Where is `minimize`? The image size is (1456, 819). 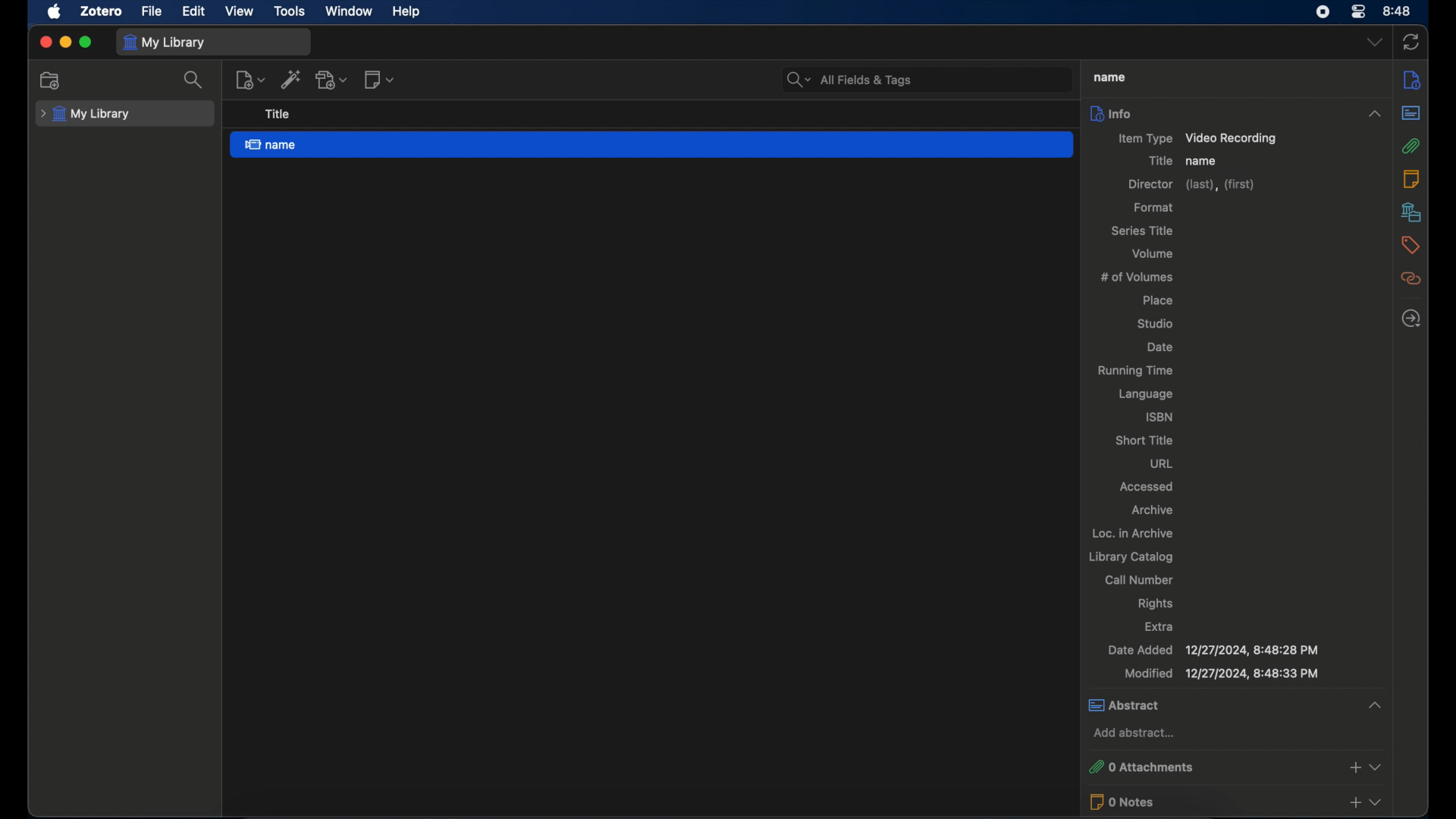 minimize is located at coordinates (65, 42).